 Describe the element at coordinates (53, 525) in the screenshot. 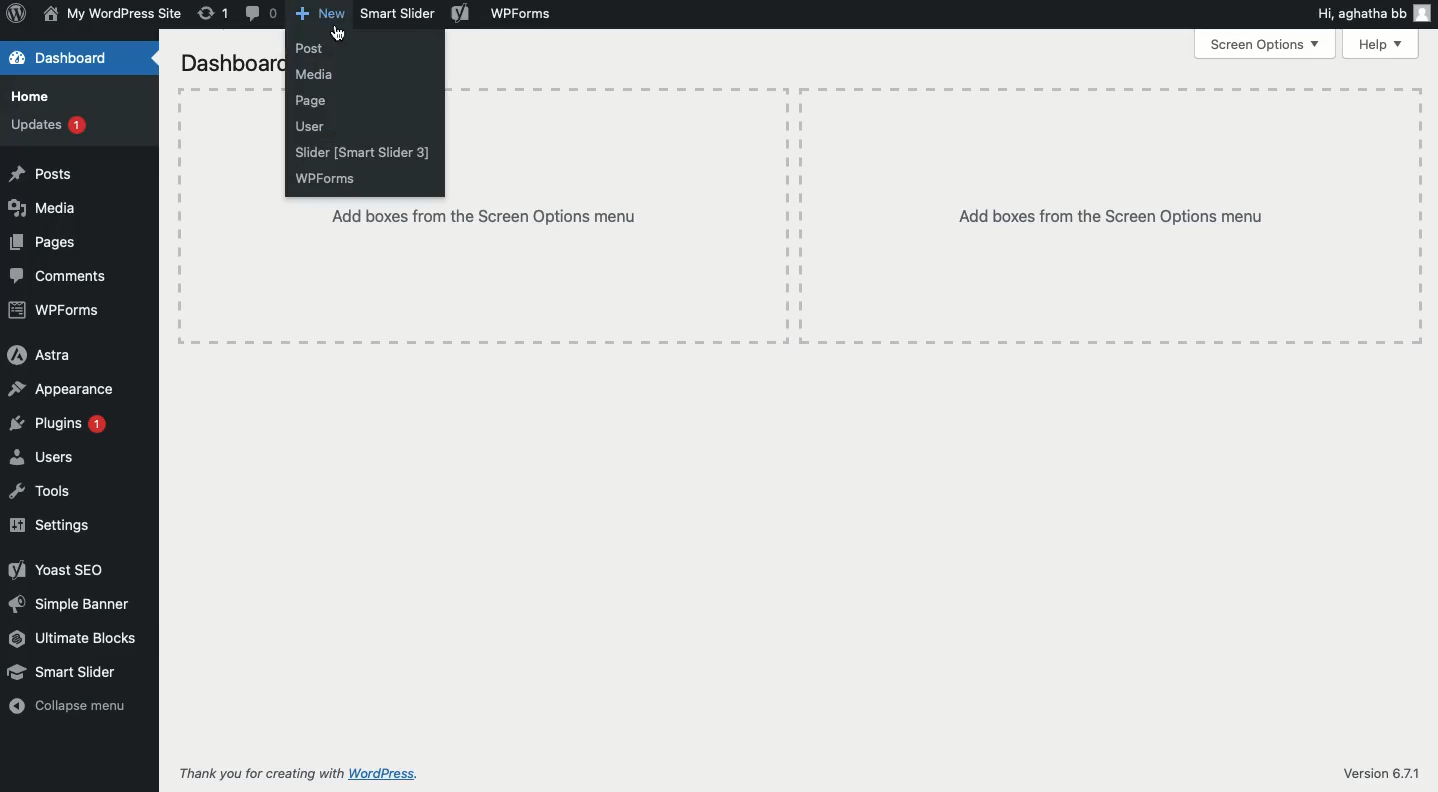

I see `Settings` at that location.